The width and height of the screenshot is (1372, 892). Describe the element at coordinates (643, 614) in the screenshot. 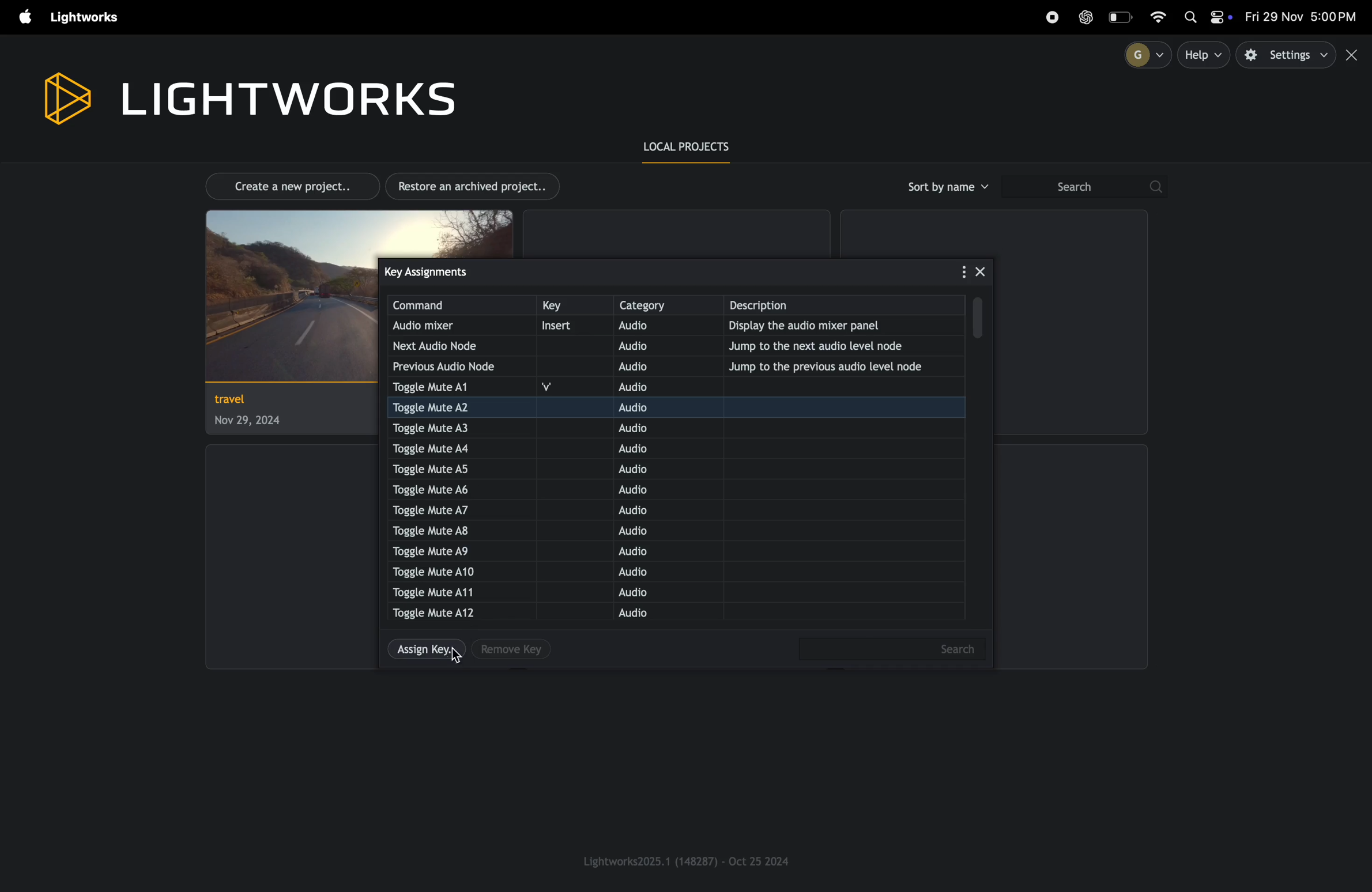

I see `audio` at that location.